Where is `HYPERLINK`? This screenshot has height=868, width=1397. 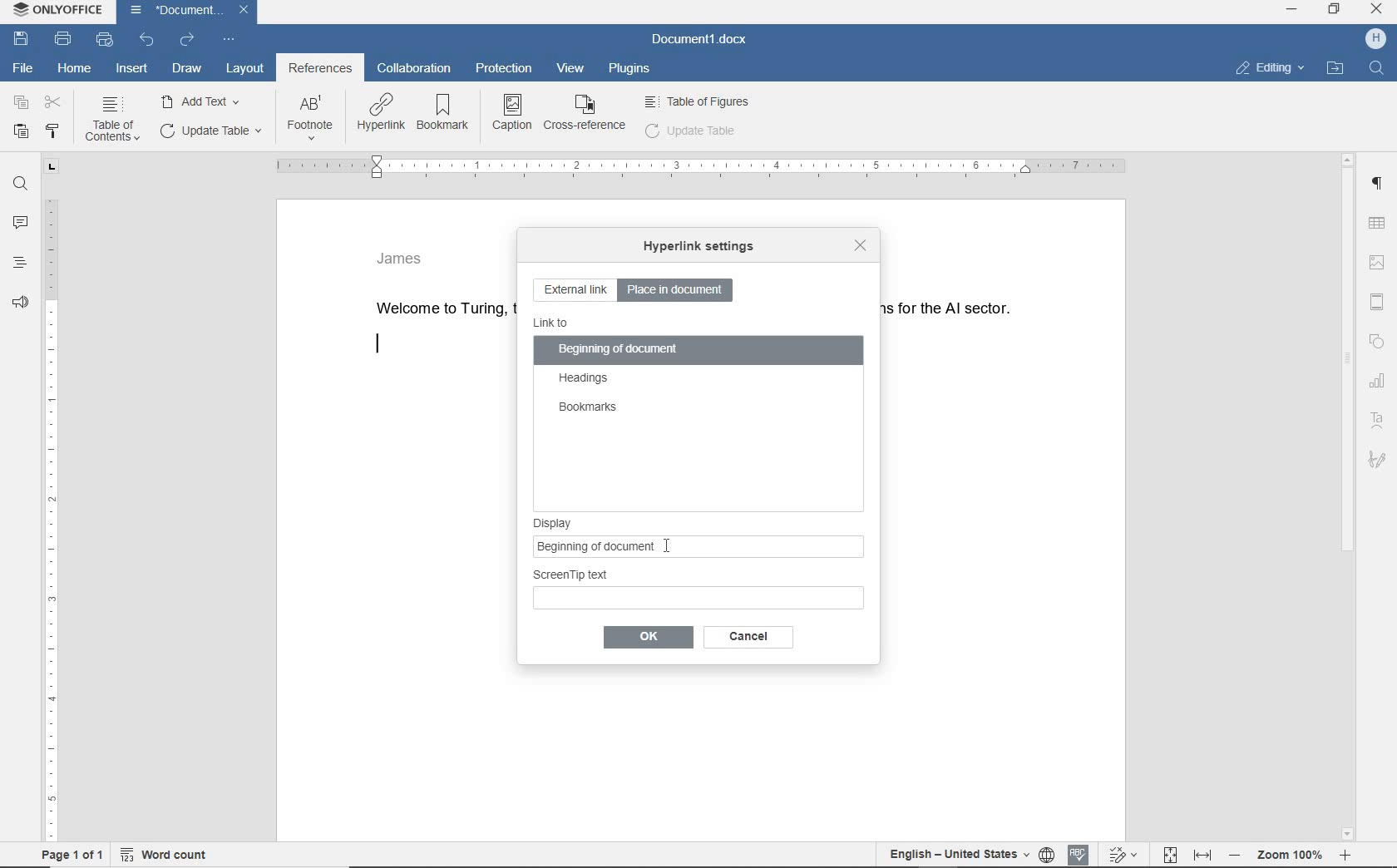
HYPERLINK is located at coordinates (379, 113).